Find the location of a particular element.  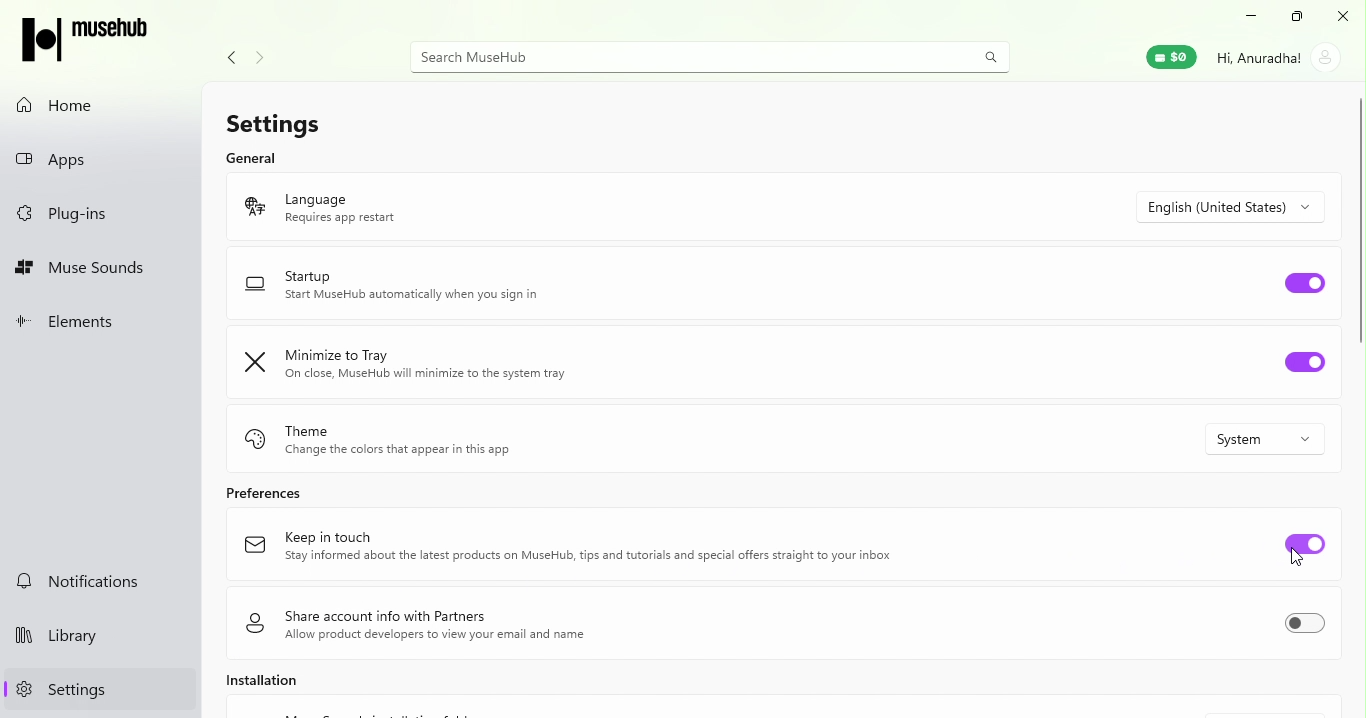

Prefernces is located at coordinates (267, 495).